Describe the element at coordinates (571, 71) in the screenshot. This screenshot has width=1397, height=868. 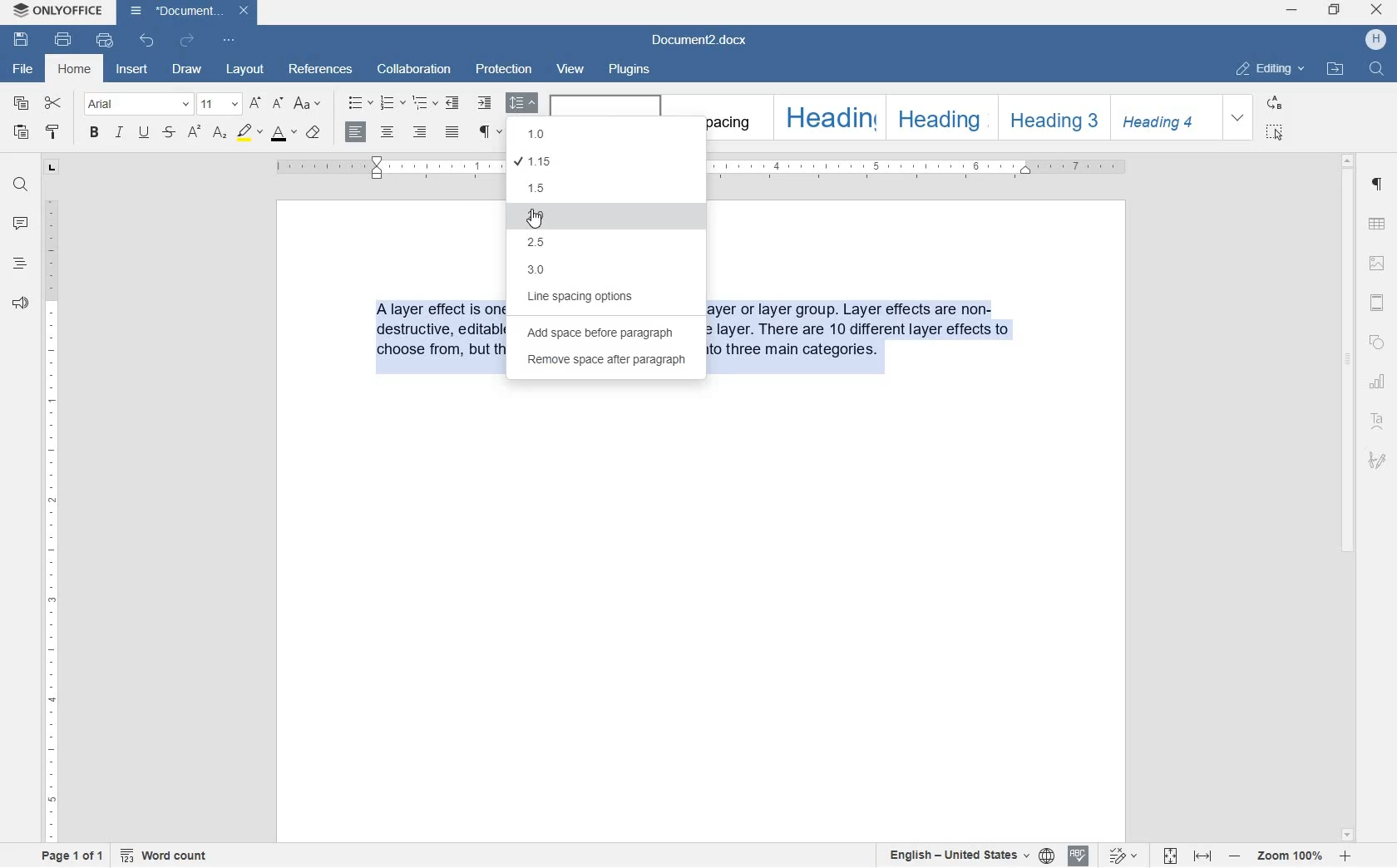
I see `view` at that location.